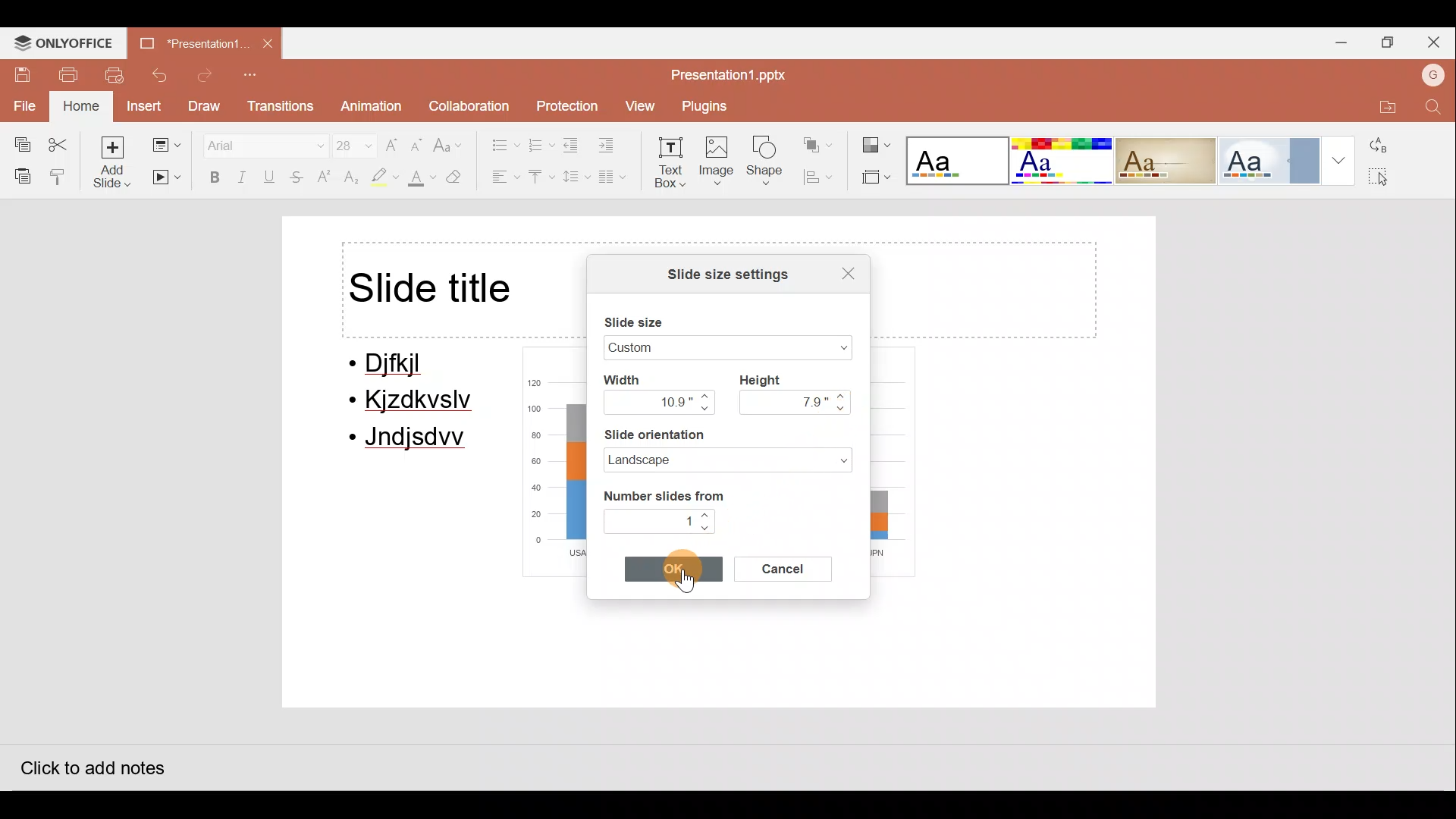 The height and width of the screenshot is (819, 1456). I want to click on Insert, so click(143, 105).